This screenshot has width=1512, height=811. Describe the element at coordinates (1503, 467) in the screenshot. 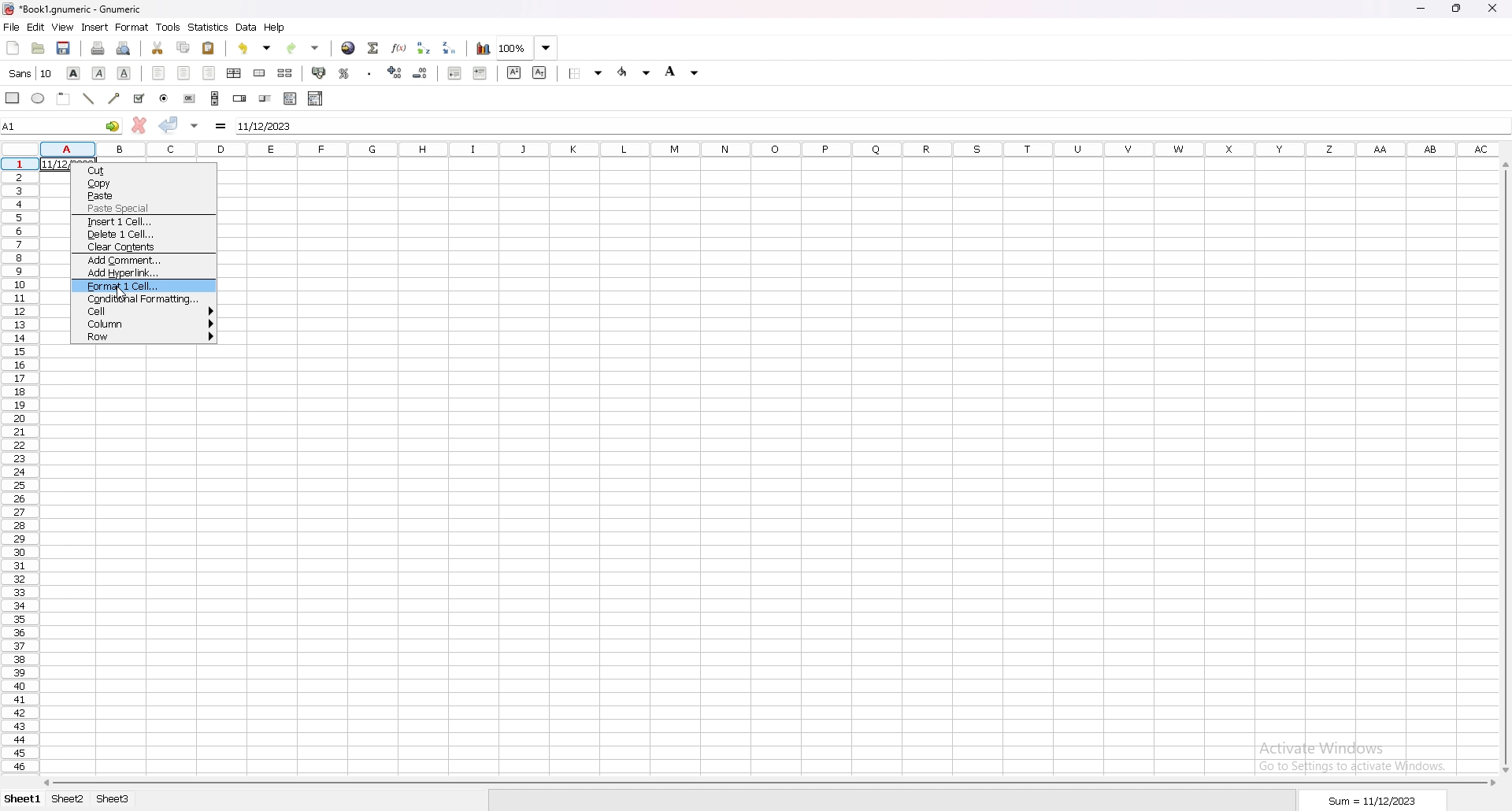

I see `scroll bar` at that location.